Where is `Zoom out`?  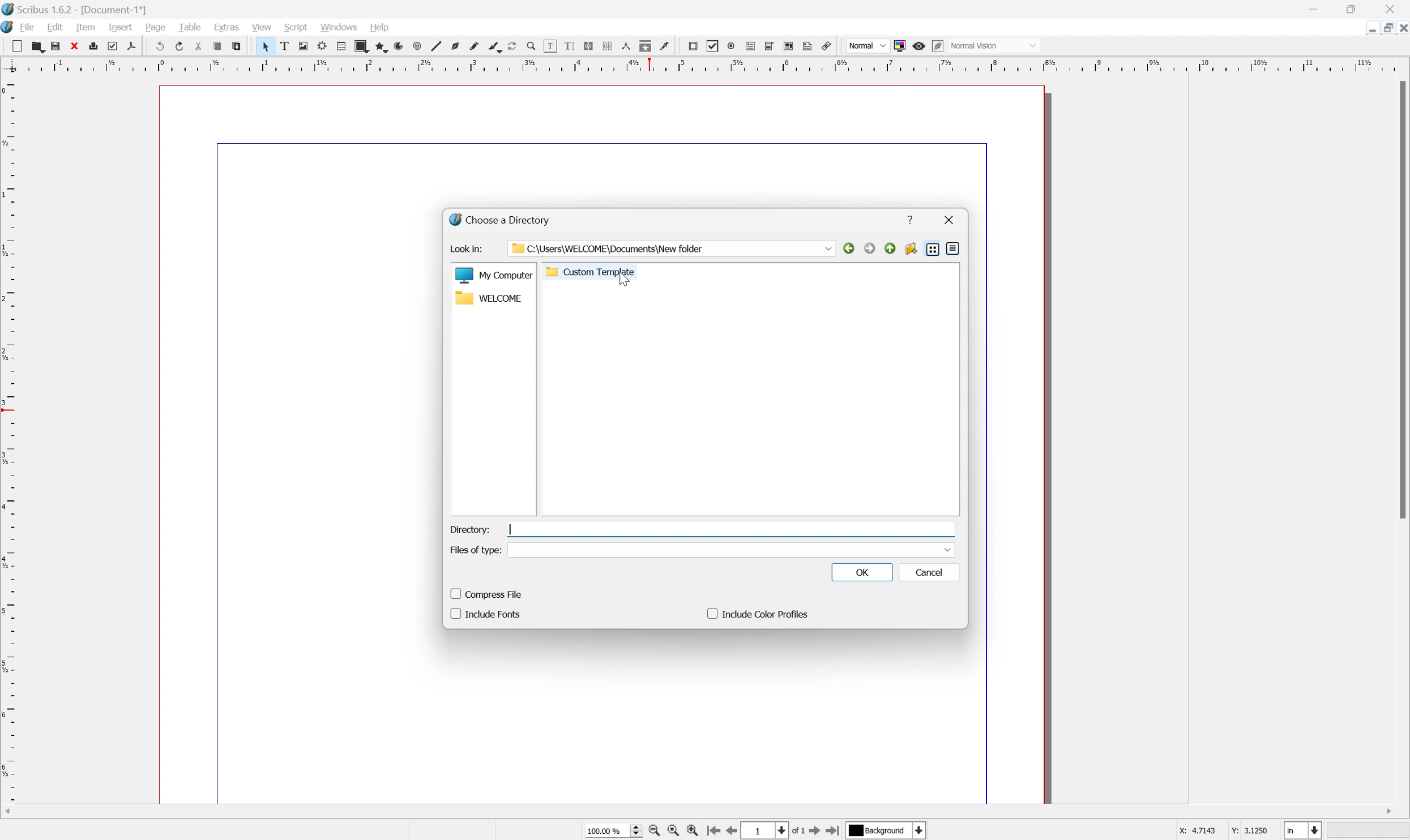
Zoom out is located at coordinates (651, 832).